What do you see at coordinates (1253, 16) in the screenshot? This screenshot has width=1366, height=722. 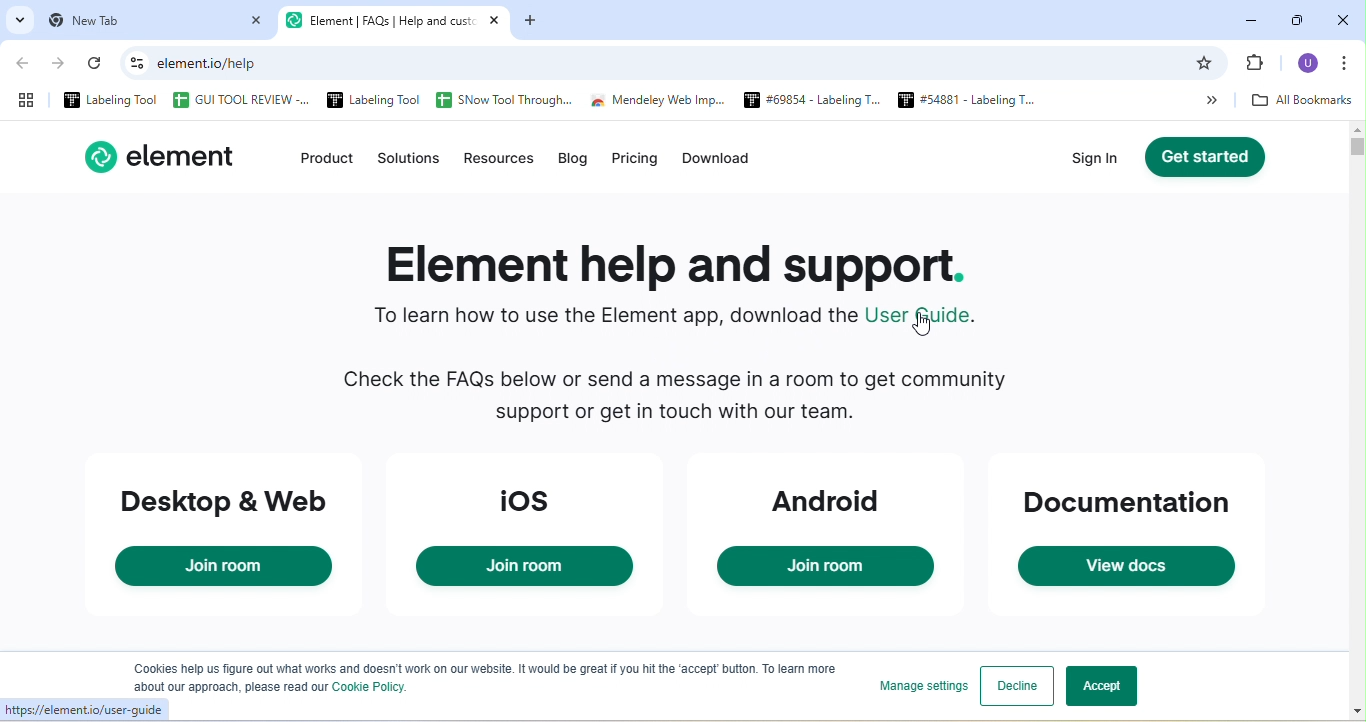 I see `minimize` at bounding box center [1253, 16].